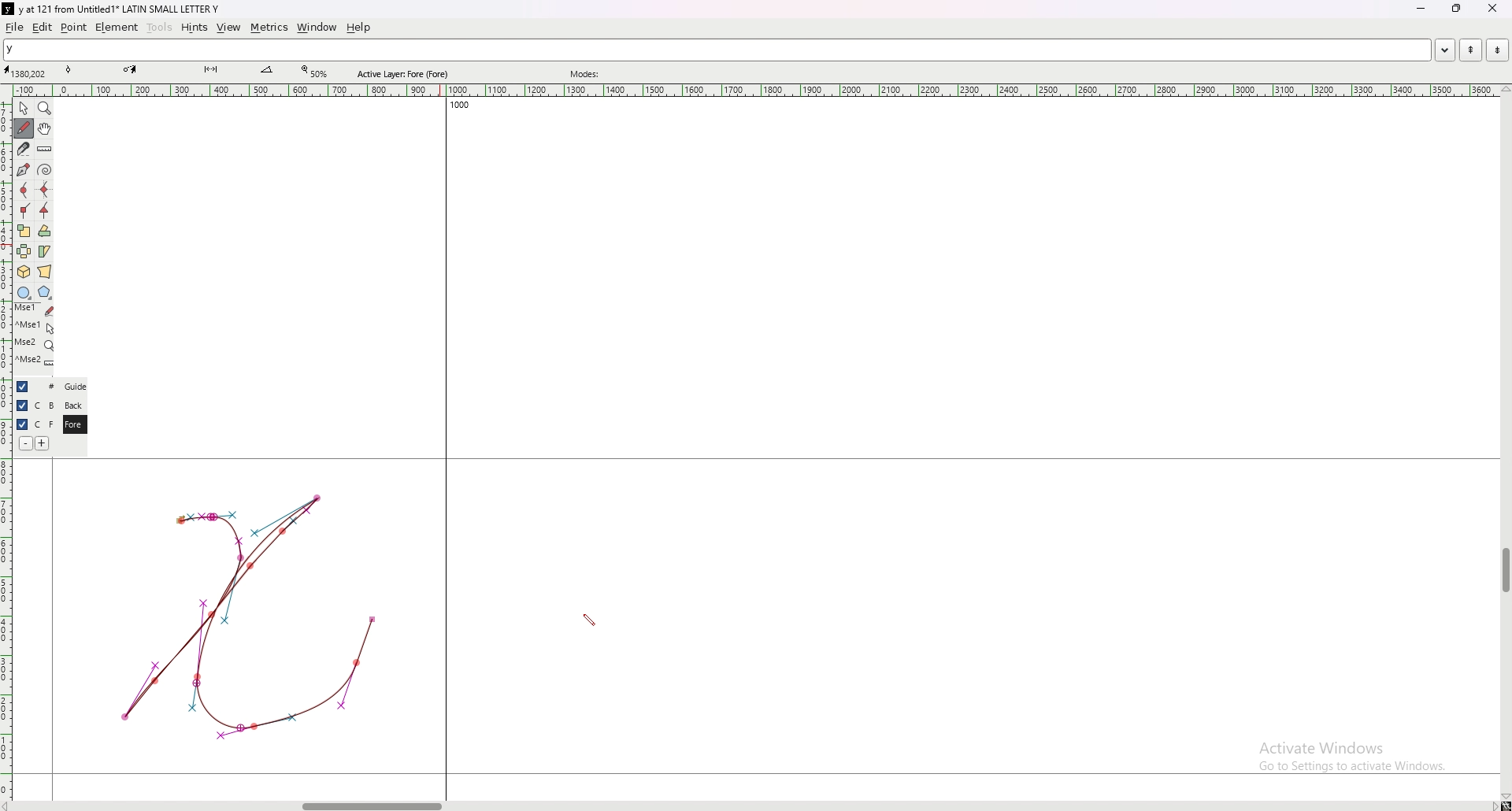 The width and height of the screenshot is (1512, 811). I want to click on open word list, so click(1444, 50).